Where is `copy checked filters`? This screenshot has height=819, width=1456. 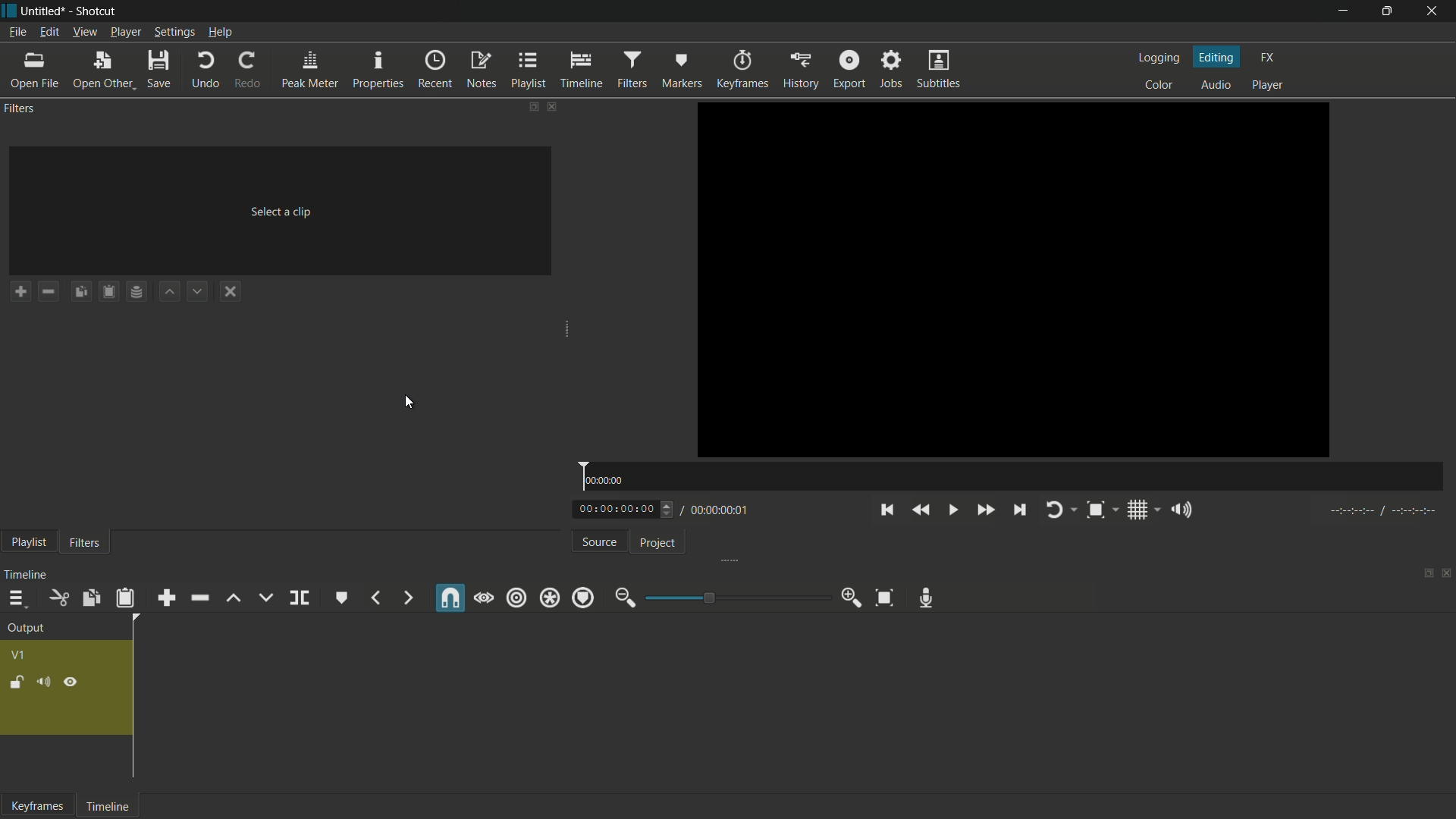 copy checked filters is located at coordinates (80, 290).